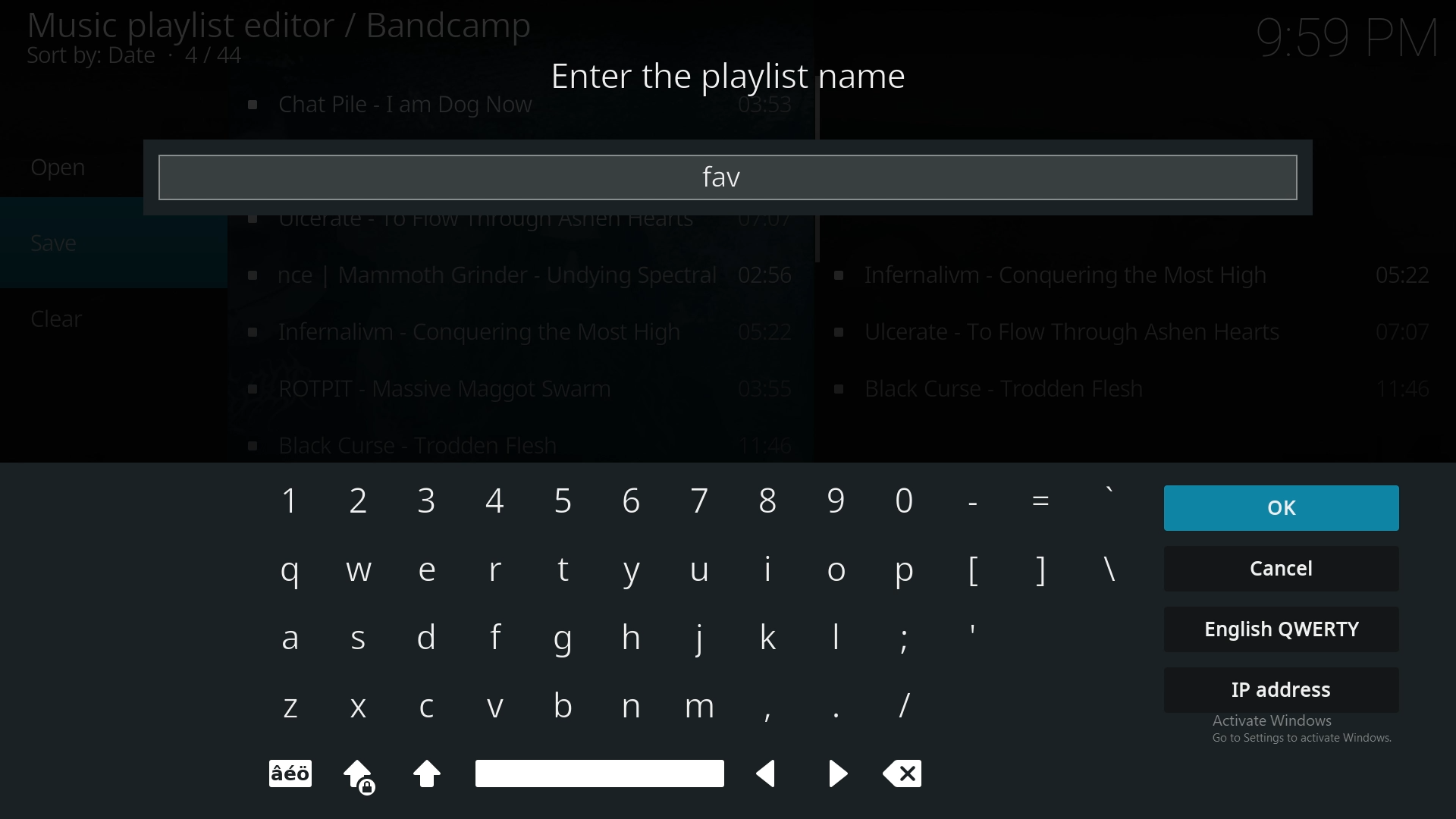 The image size is (1456, 819). Describe the element at coordinates (737, 74) in the screenshot. I see `enter playlist name` at that location.